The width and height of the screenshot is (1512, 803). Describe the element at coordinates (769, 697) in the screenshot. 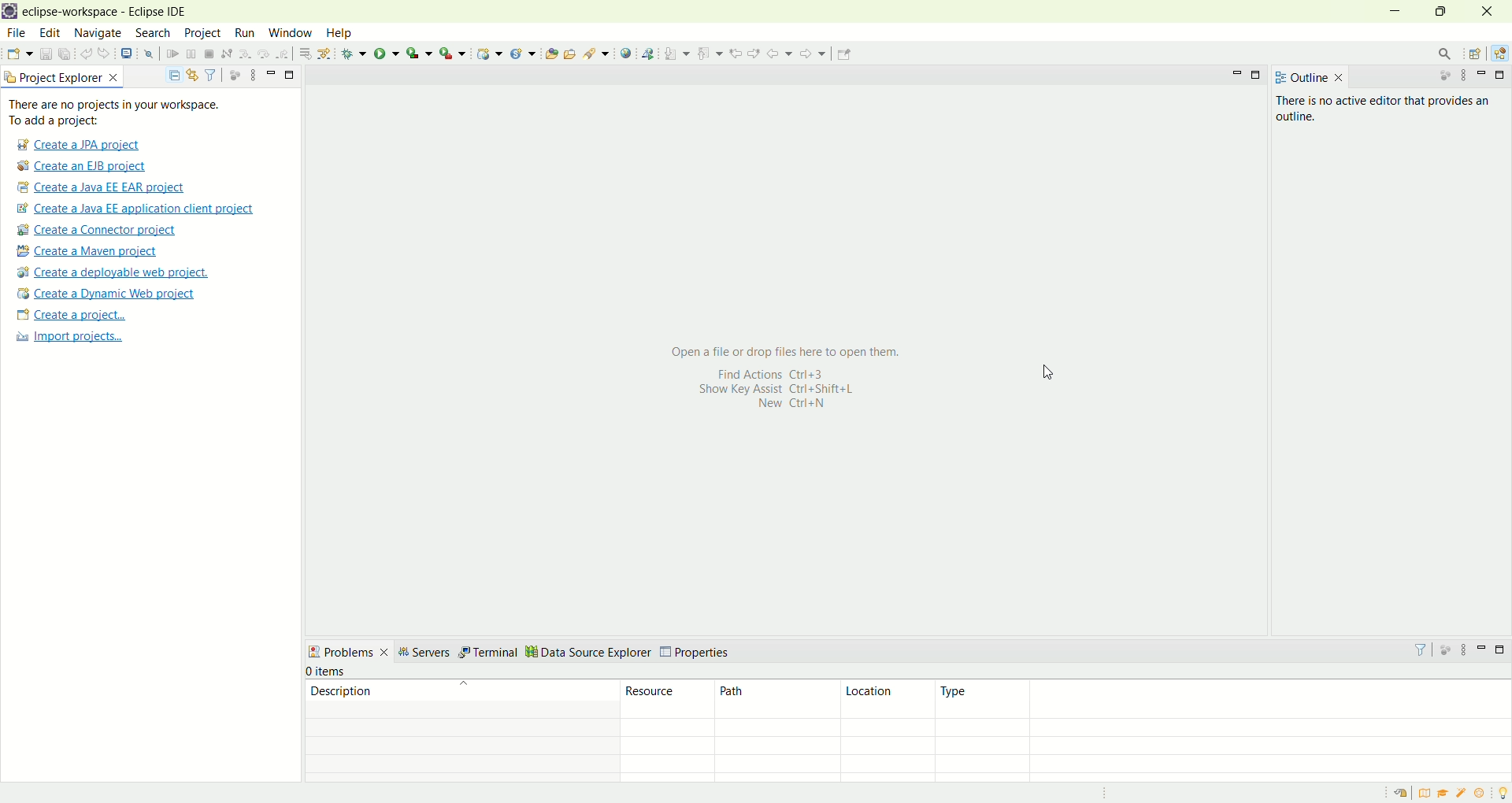

I see `path` at that location.